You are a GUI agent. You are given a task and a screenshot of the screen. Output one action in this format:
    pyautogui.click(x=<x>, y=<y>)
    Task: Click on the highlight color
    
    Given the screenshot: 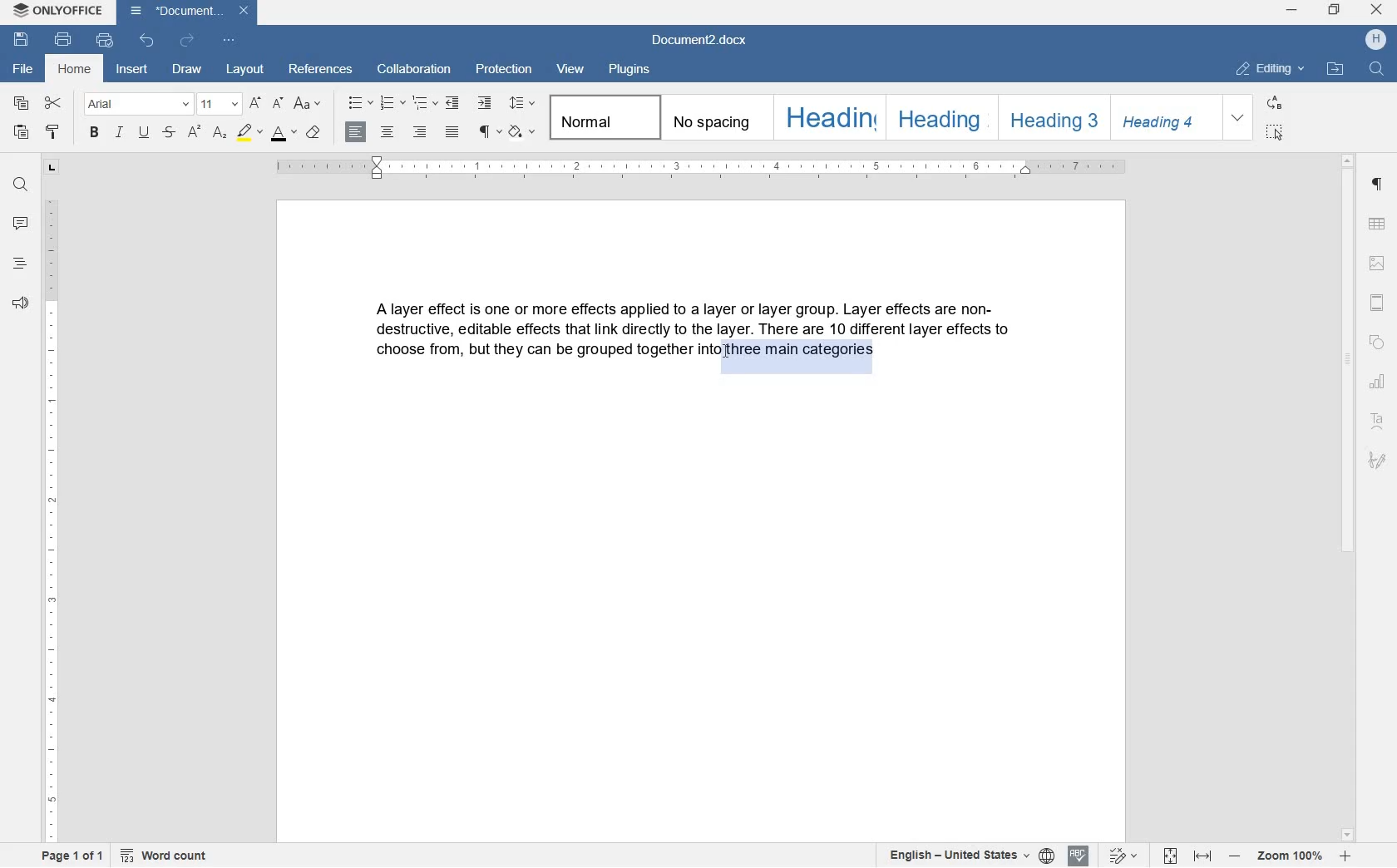 What is the action you would take?
    pyautogui.click(x=250, y=134)
    